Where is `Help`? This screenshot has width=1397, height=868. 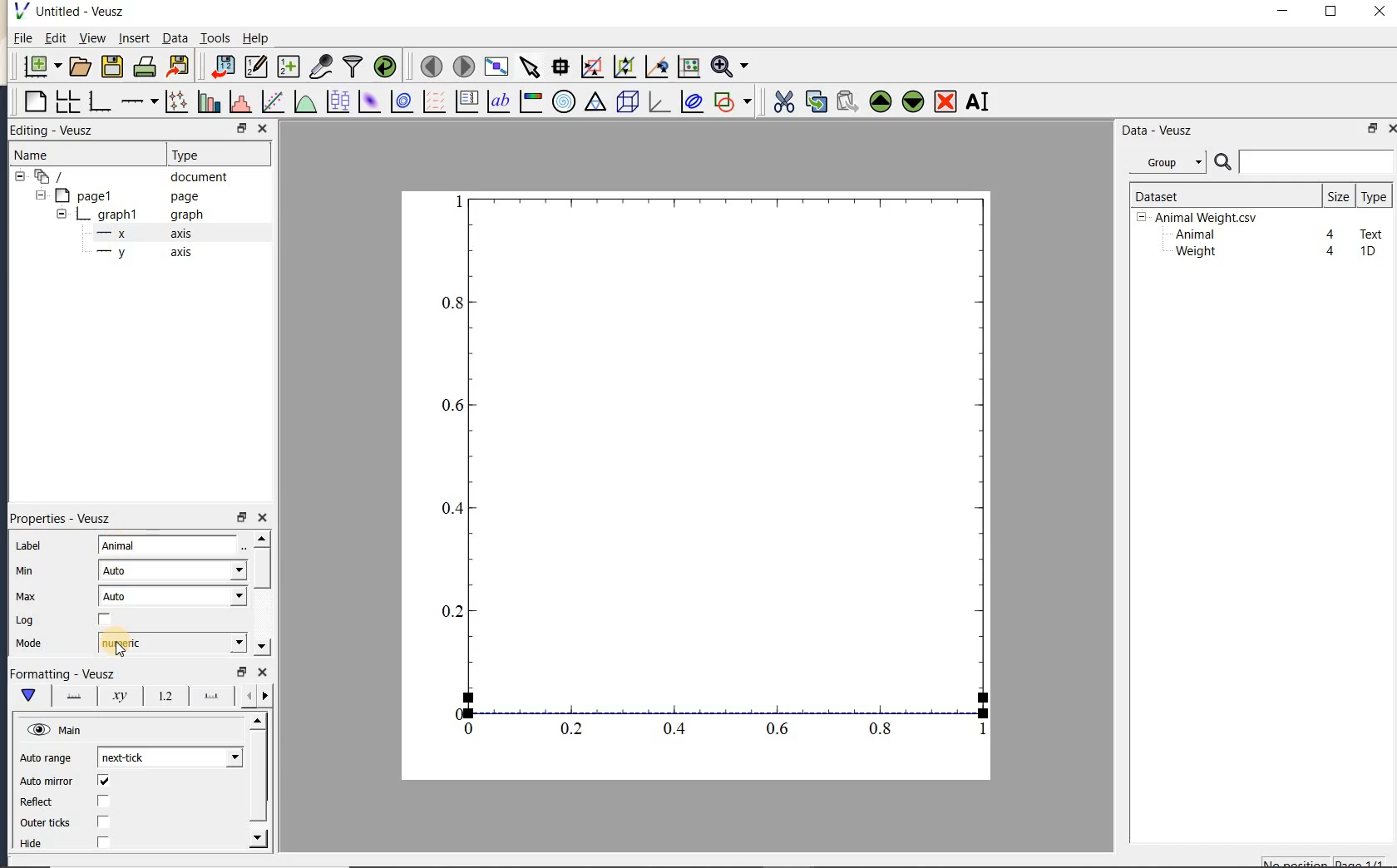
Help is located at coordinates (255, 38).